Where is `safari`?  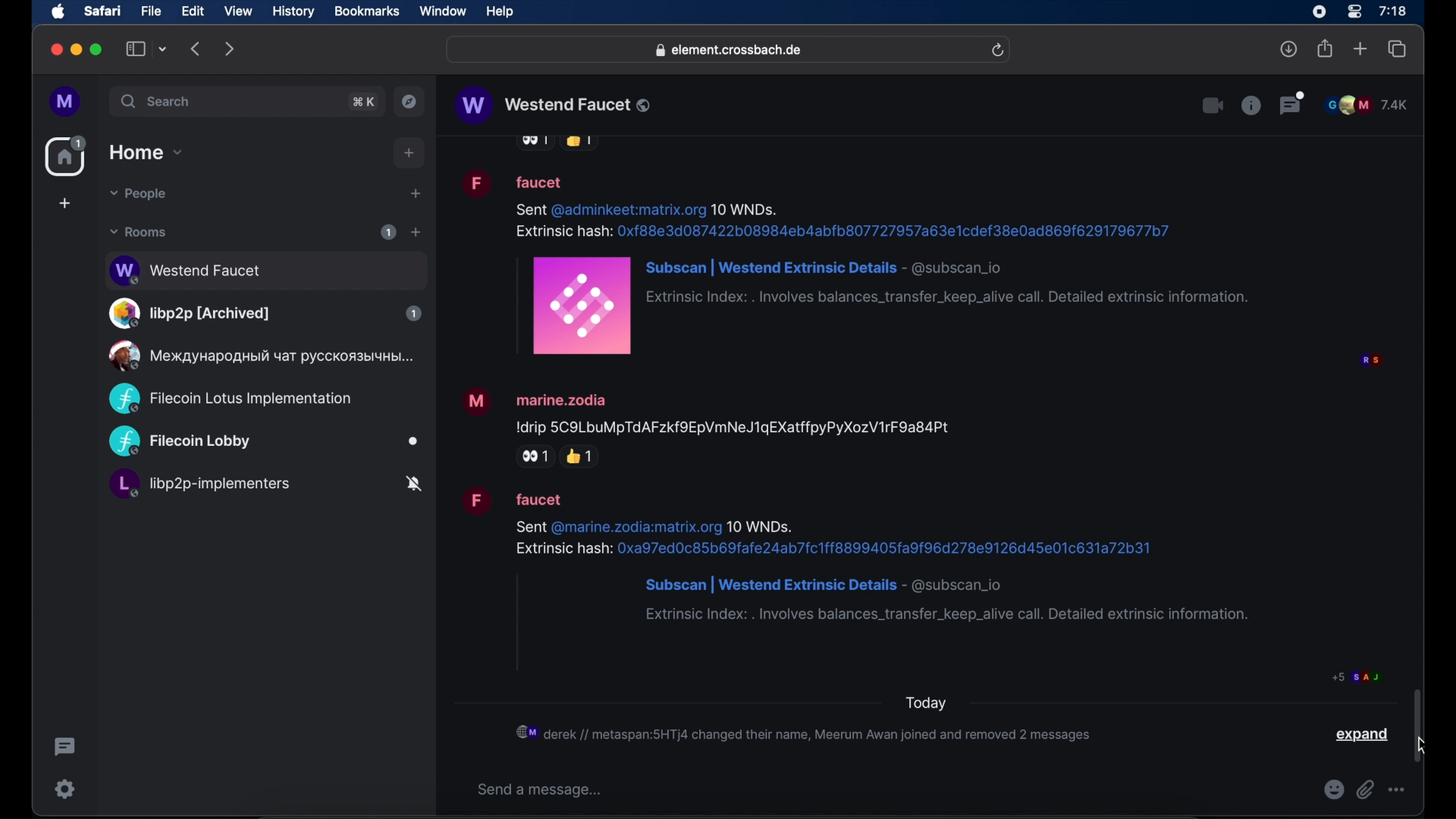
safari is located at coordinates (102, 11).